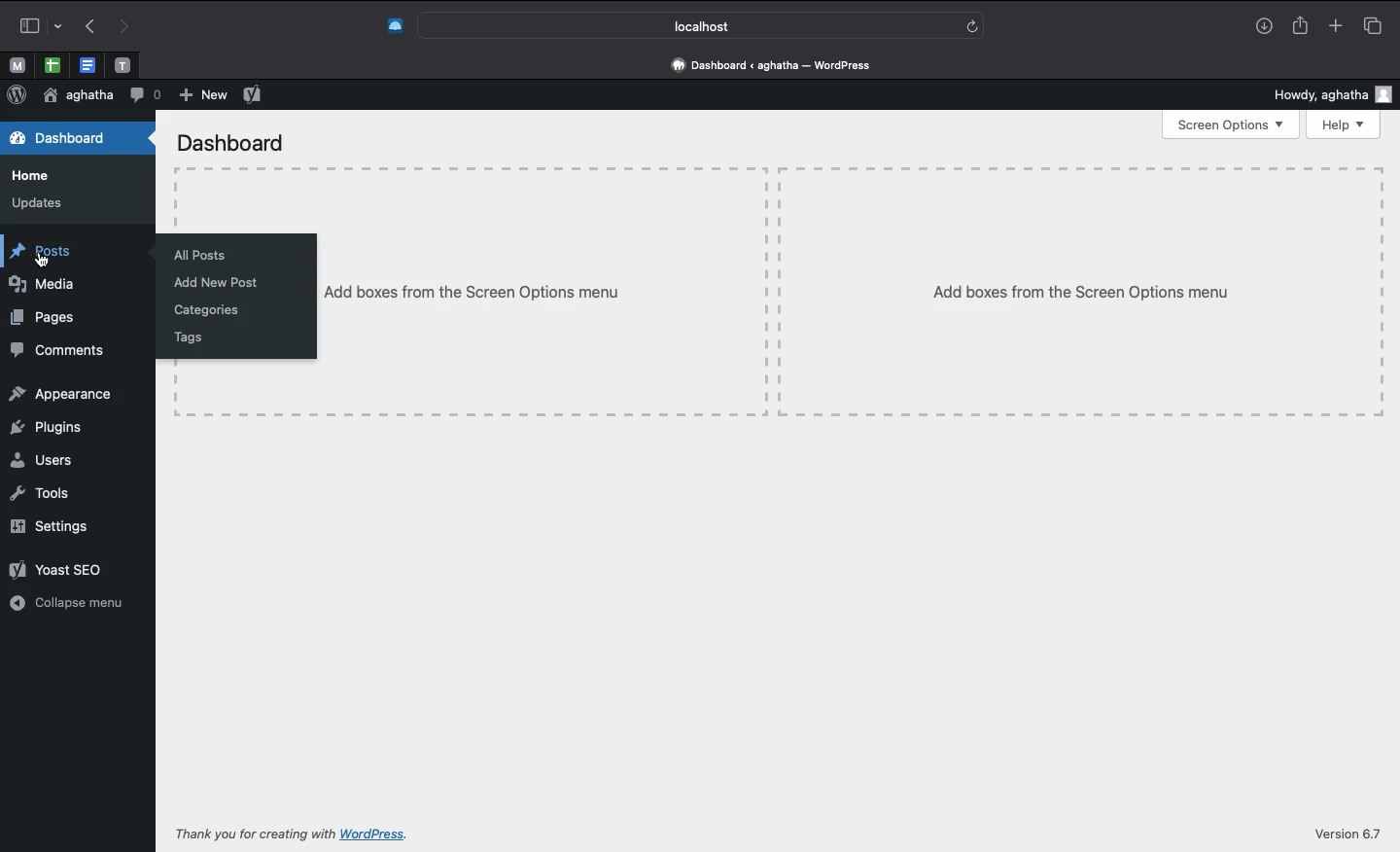  What do you see at coordinates (69, 141) in the screenshot?
I see `Dashboard` at bounding box center [69, 141].